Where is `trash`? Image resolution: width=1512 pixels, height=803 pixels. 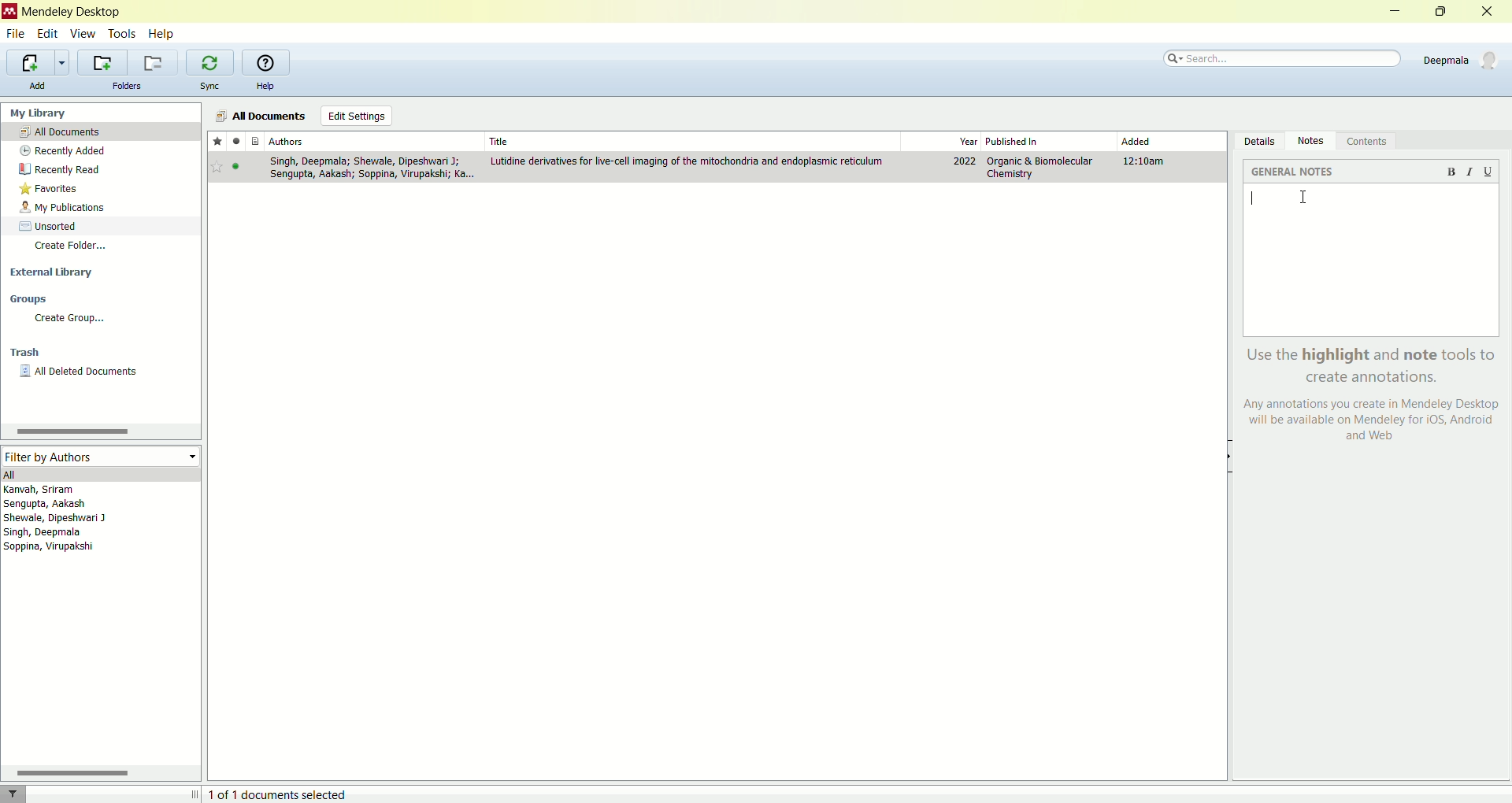
trash is located at coordinates (101, 352).